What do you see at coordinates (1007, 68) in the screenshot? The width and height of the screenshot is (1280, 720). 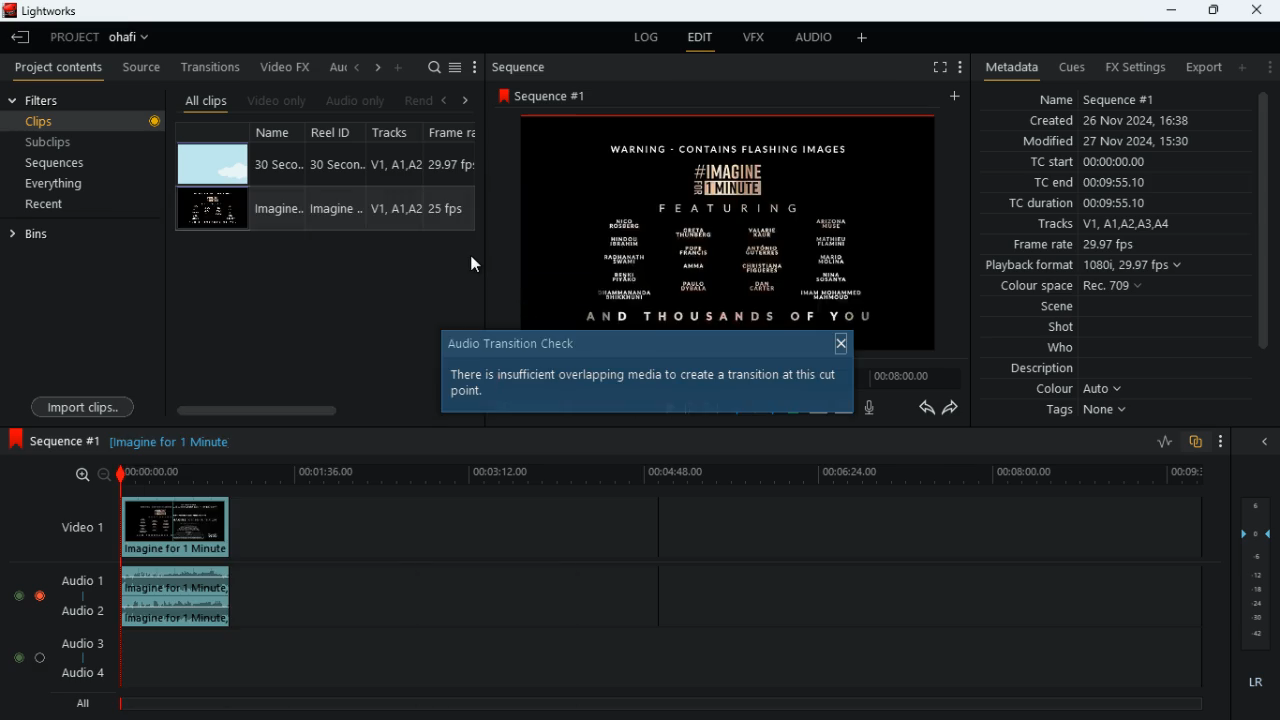 I see `metadata` at bounding box center [1007, 68].